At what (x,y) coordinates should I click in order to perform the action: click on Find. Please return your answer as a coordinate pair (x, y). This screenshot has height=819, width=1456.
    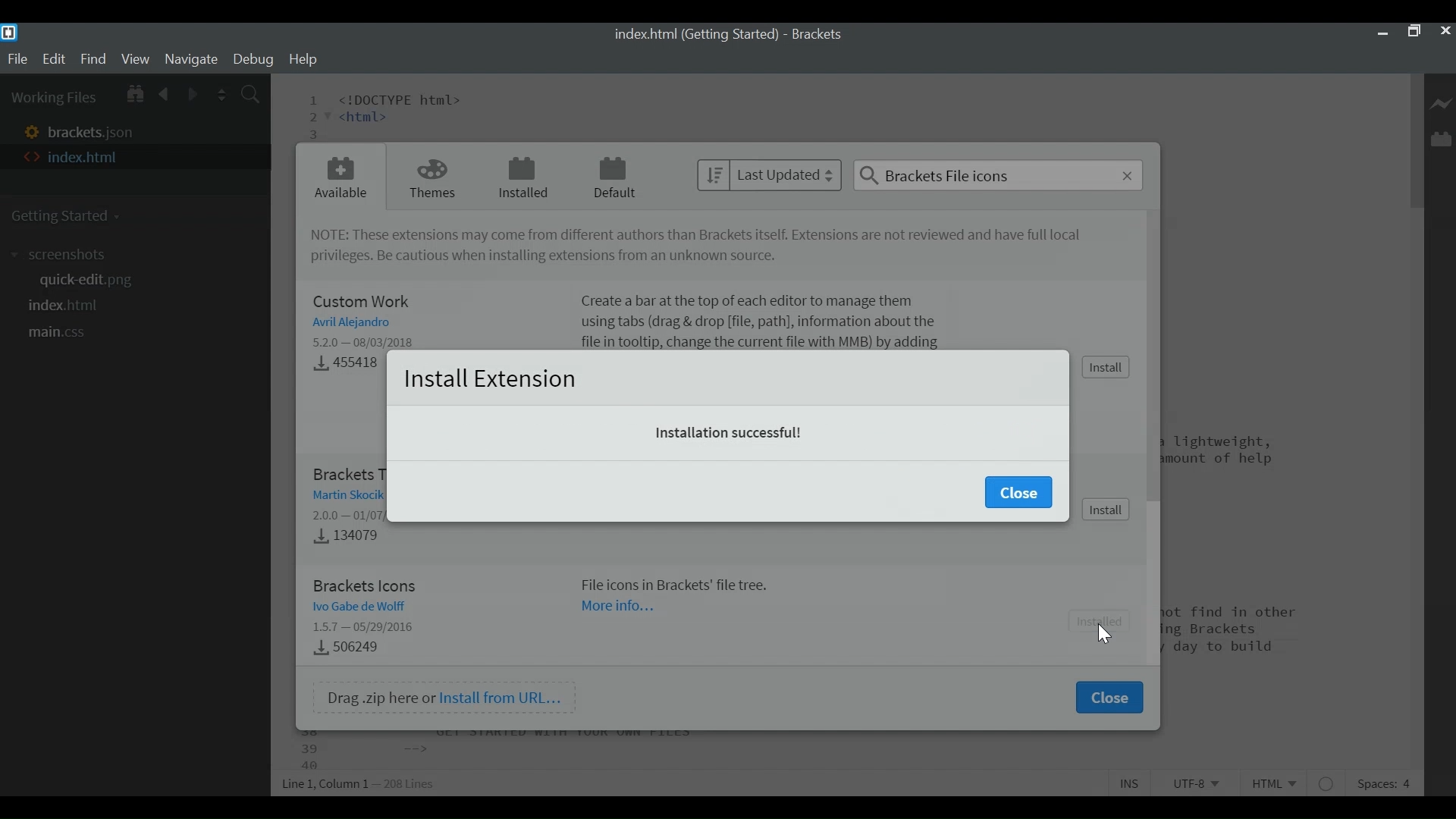
    Looking at the image, I should click on (93, 60).